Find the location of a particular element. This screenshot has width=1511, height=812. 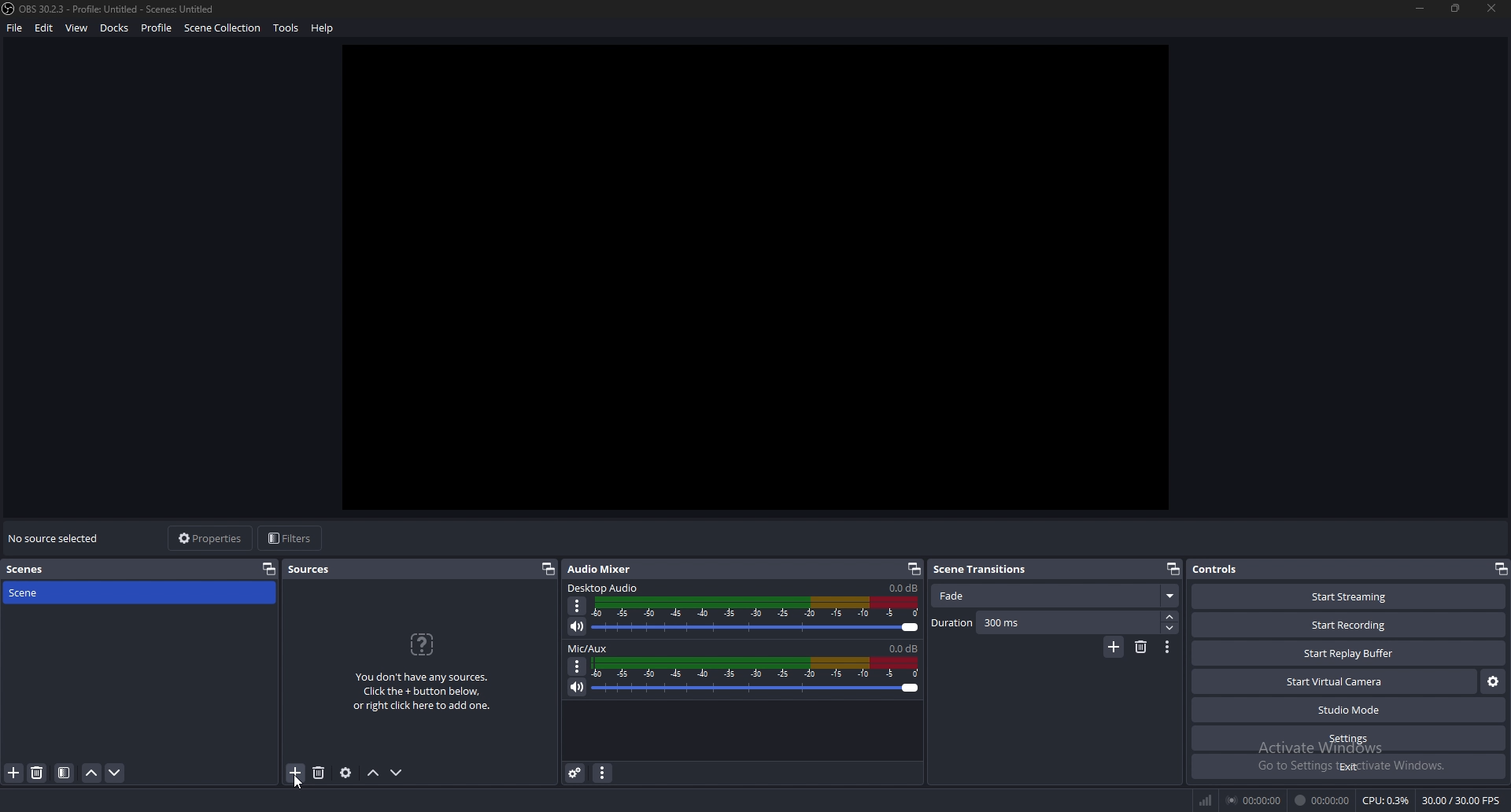

info is located at coordinates (422, 670).